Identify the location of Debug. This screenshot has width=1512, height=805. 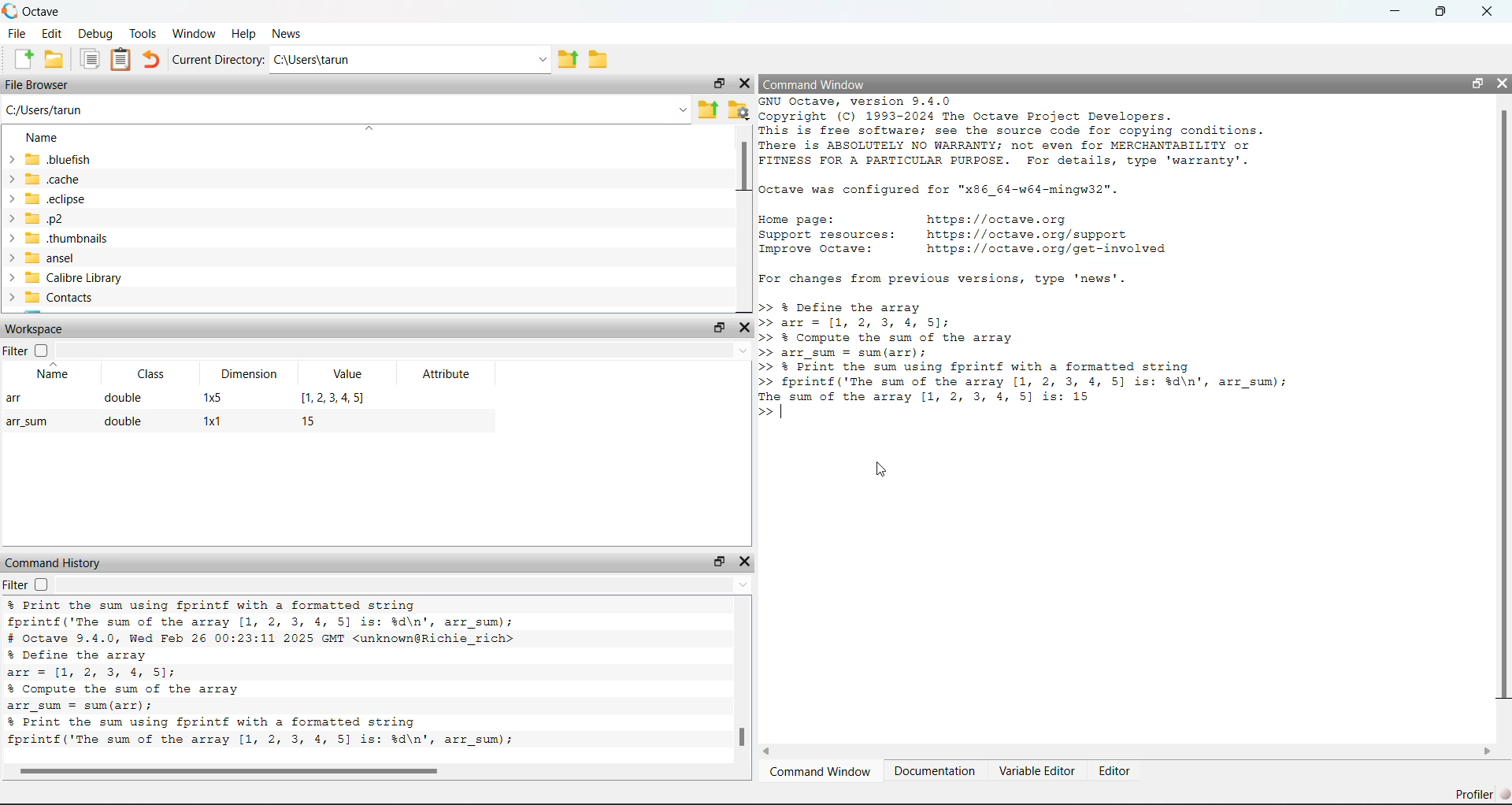
(96, 34).